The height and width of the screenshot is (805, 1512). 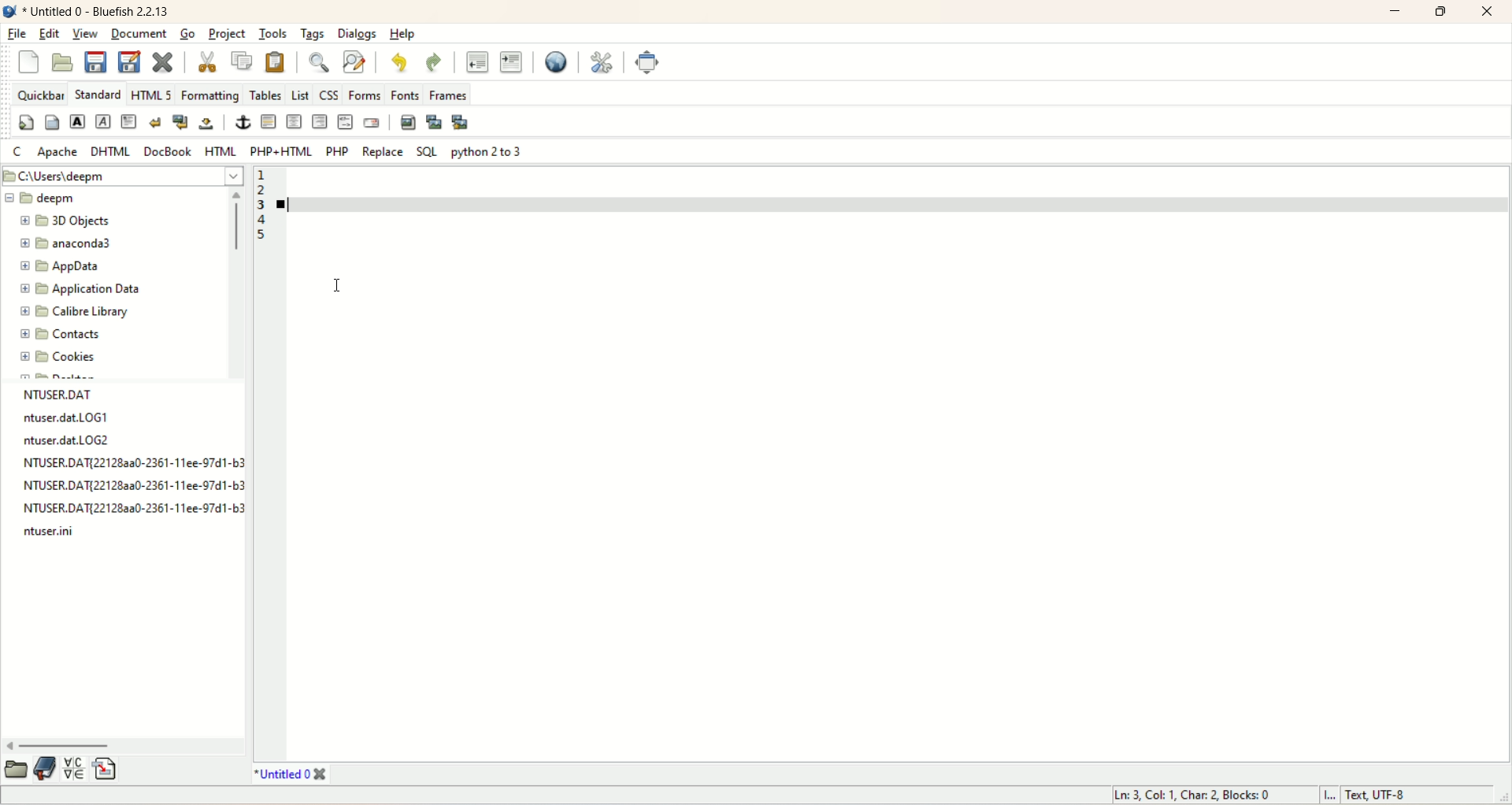 What do you see at coordinates (276, 32) in the screenshot?
I see `tools` at bounding box center [276, 32].